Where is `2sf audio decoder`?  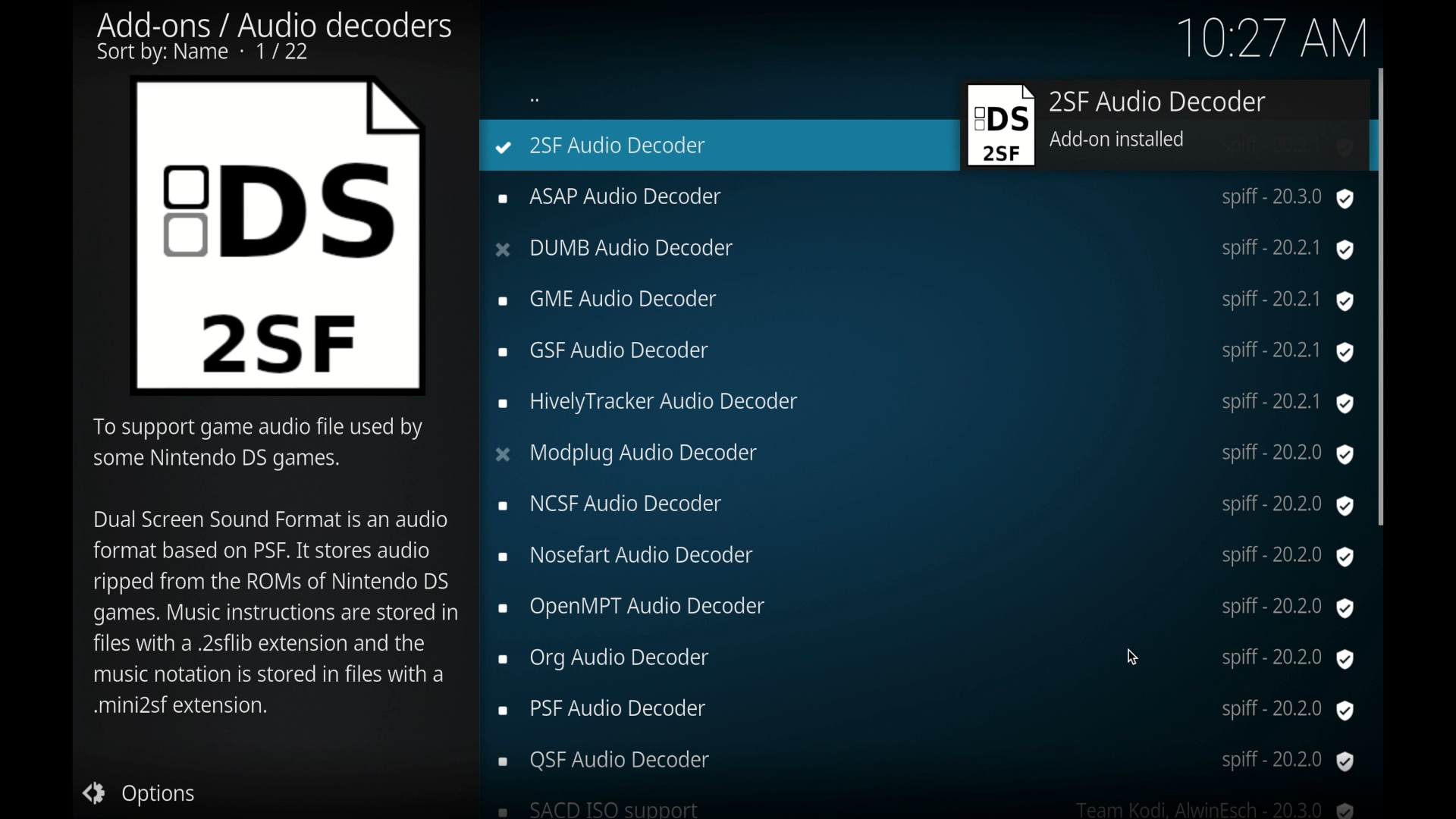
2sf audio decoder is located at coordinates (1164, 127).